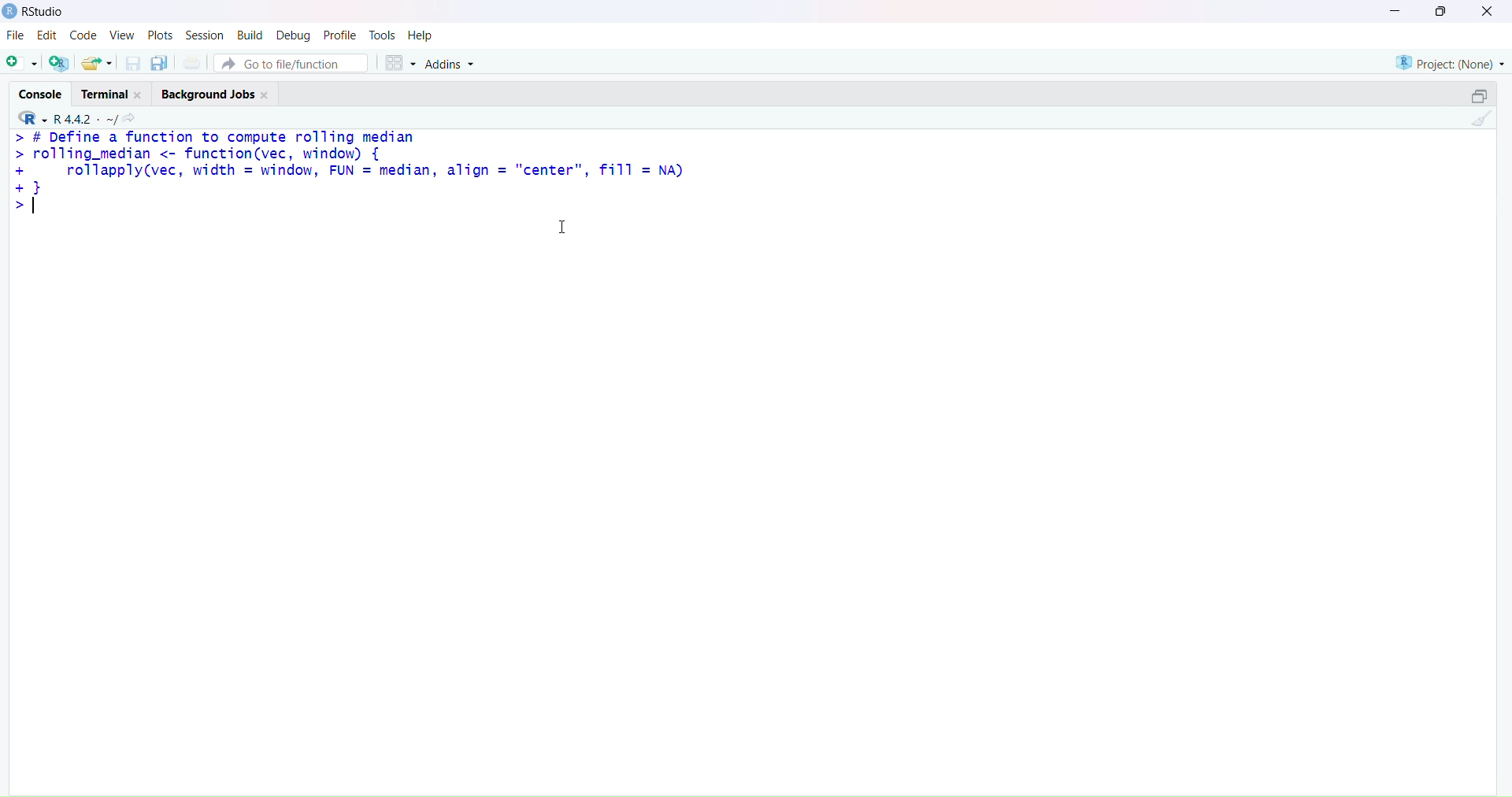  Describe the element at coordinates (104, 95) in the screenshot. I see `terminal` at that location.